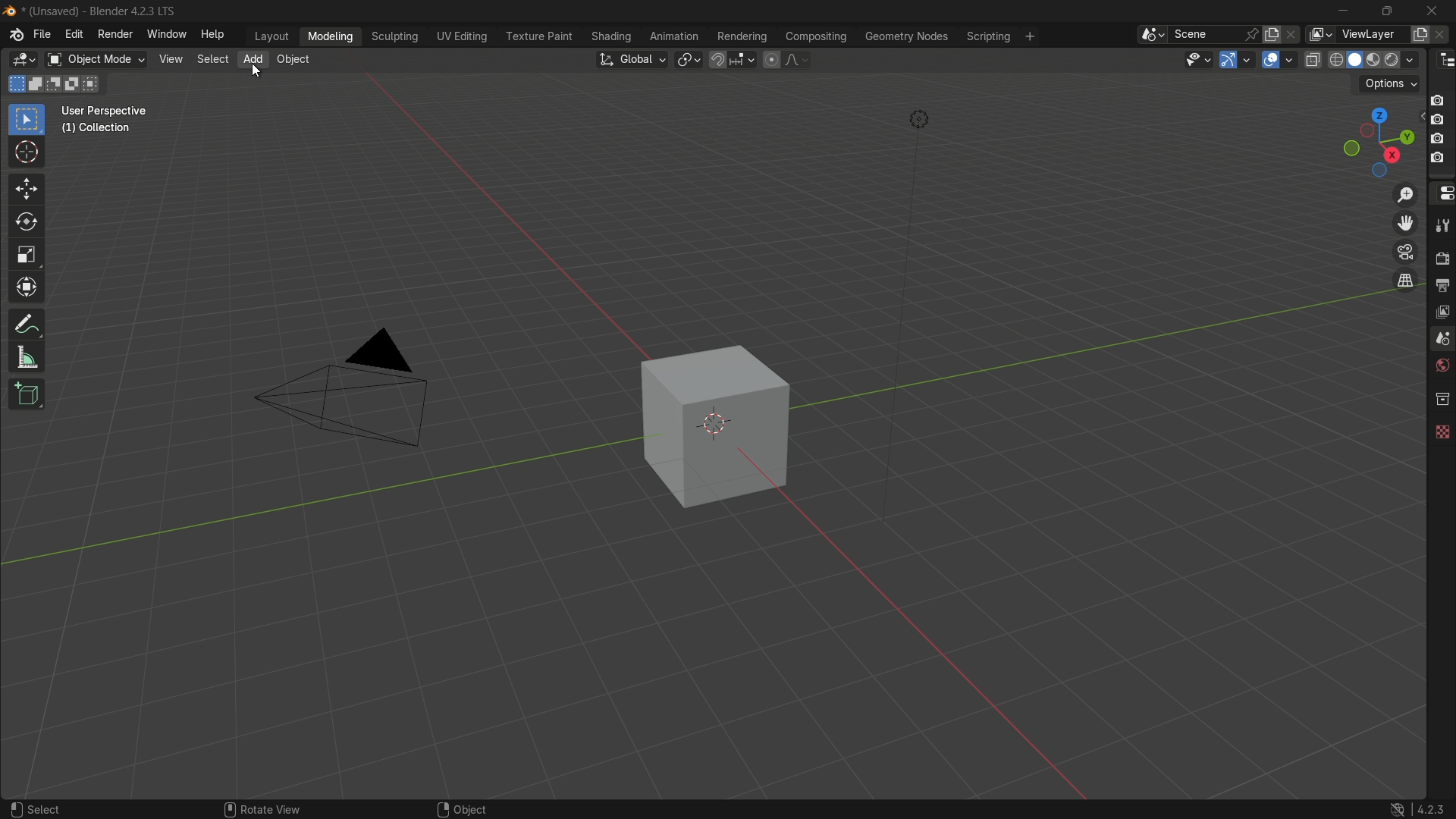  I want to click on show gizmo, so click(1229, 60).